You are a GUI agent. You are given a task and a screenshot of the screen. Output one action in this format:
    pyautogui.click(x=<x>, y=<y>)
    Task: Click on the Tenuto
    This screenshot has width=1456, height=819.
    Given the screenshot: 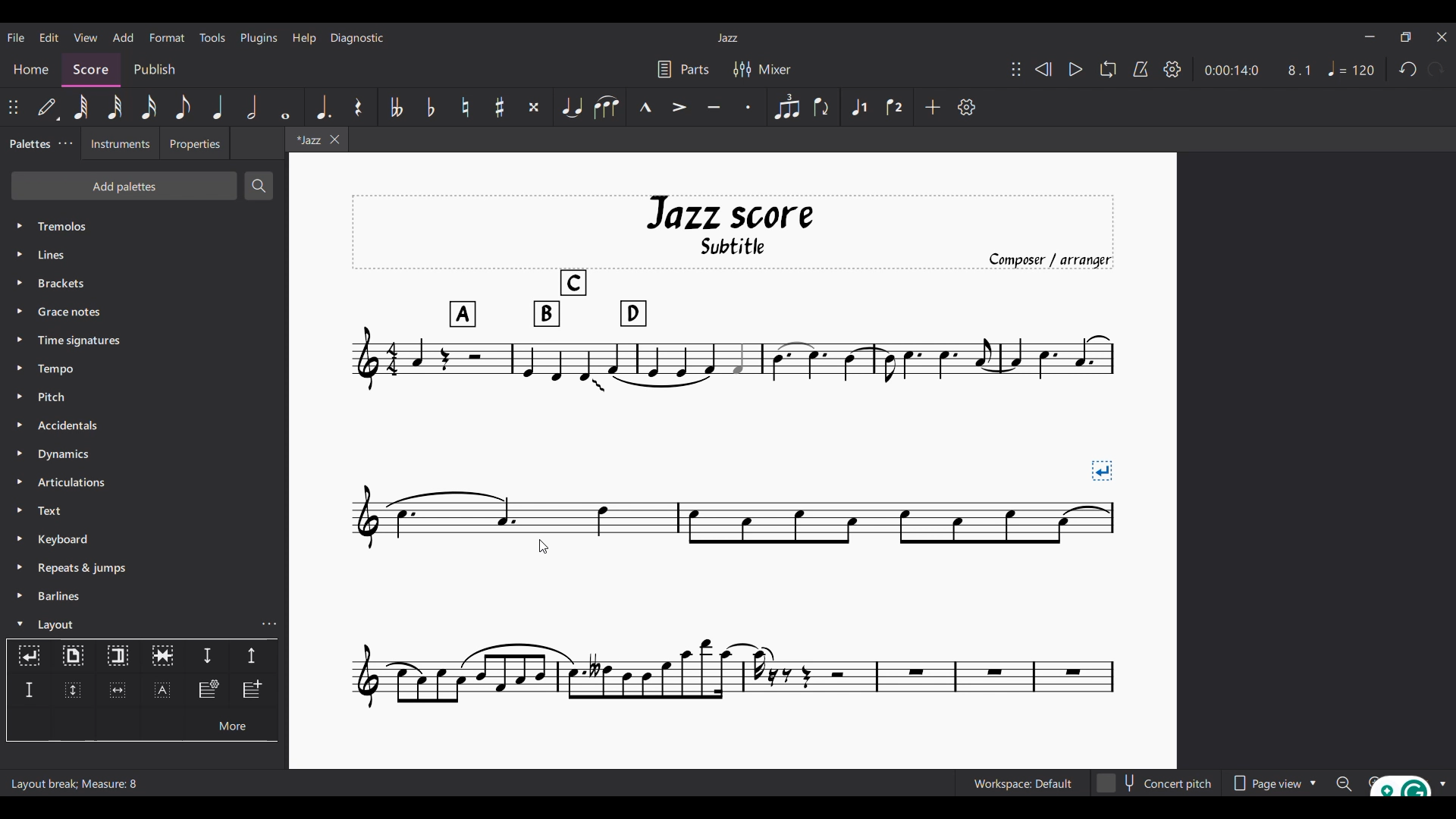 What is the action you would take?
    pyautogui.click(x=714, y=107)
    